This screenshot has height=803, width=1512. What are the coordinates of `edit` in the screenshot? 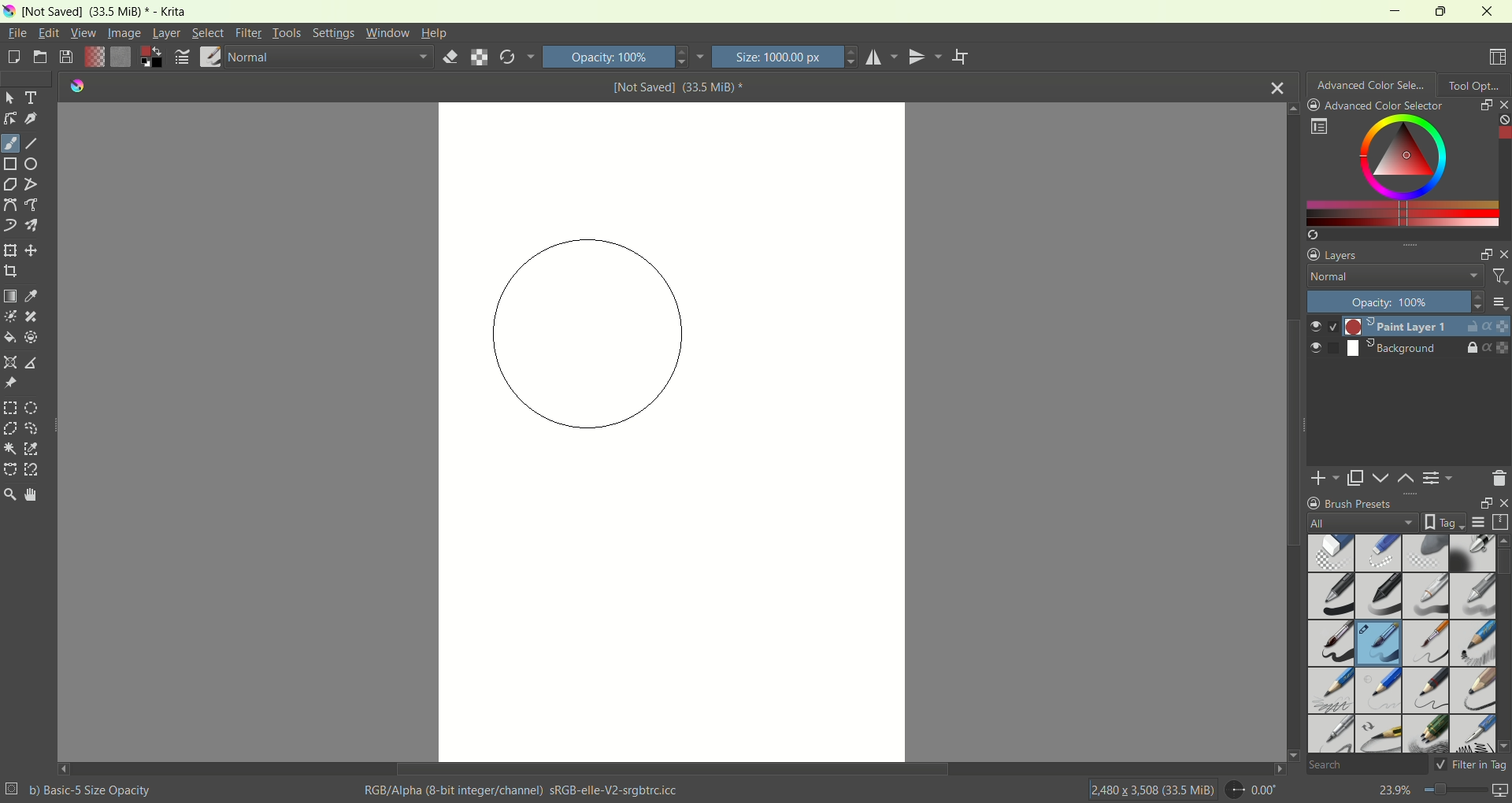 It's located at (48, 32).